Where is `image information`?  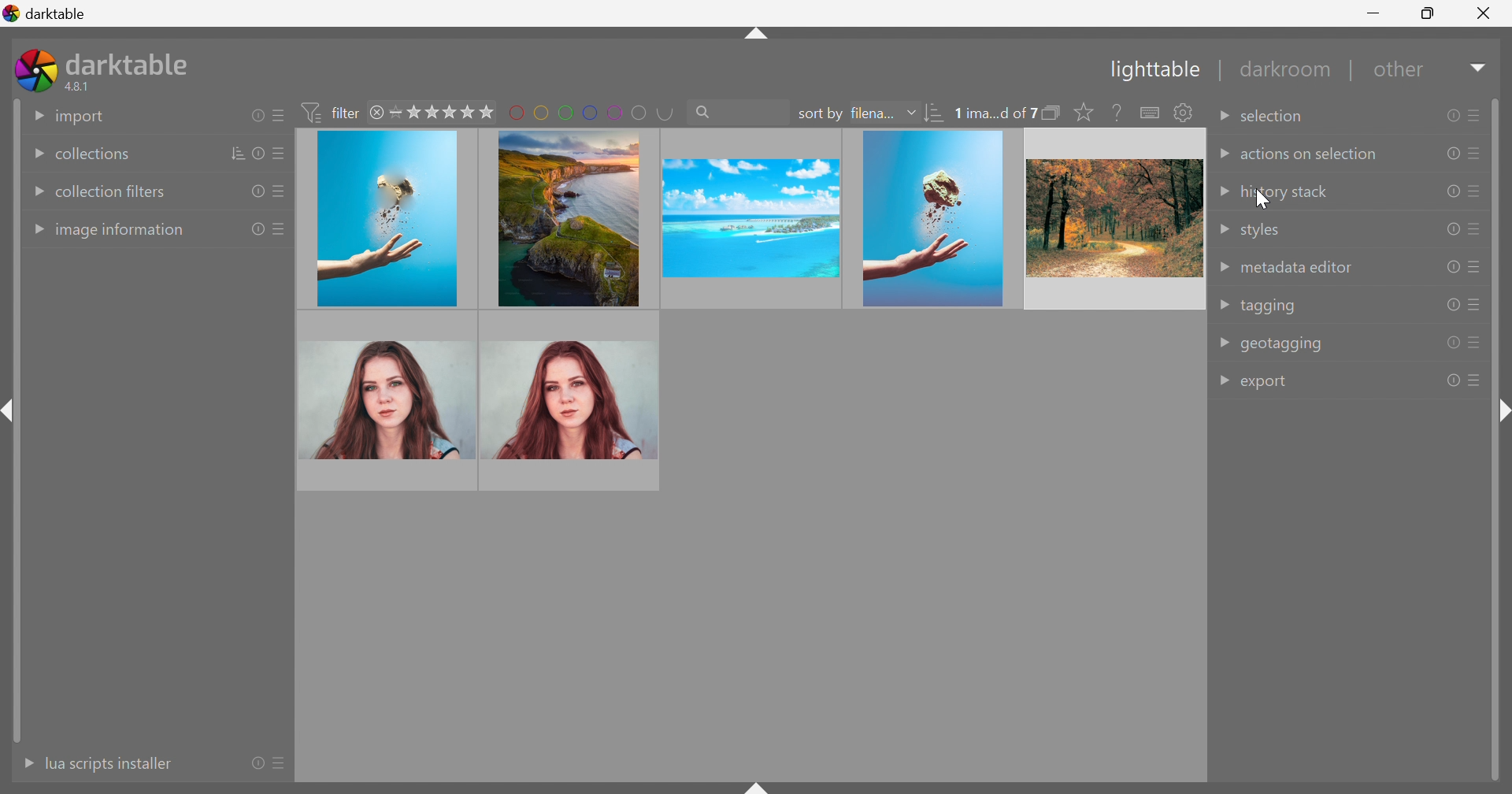 image information is located at coordinates (121, 232).